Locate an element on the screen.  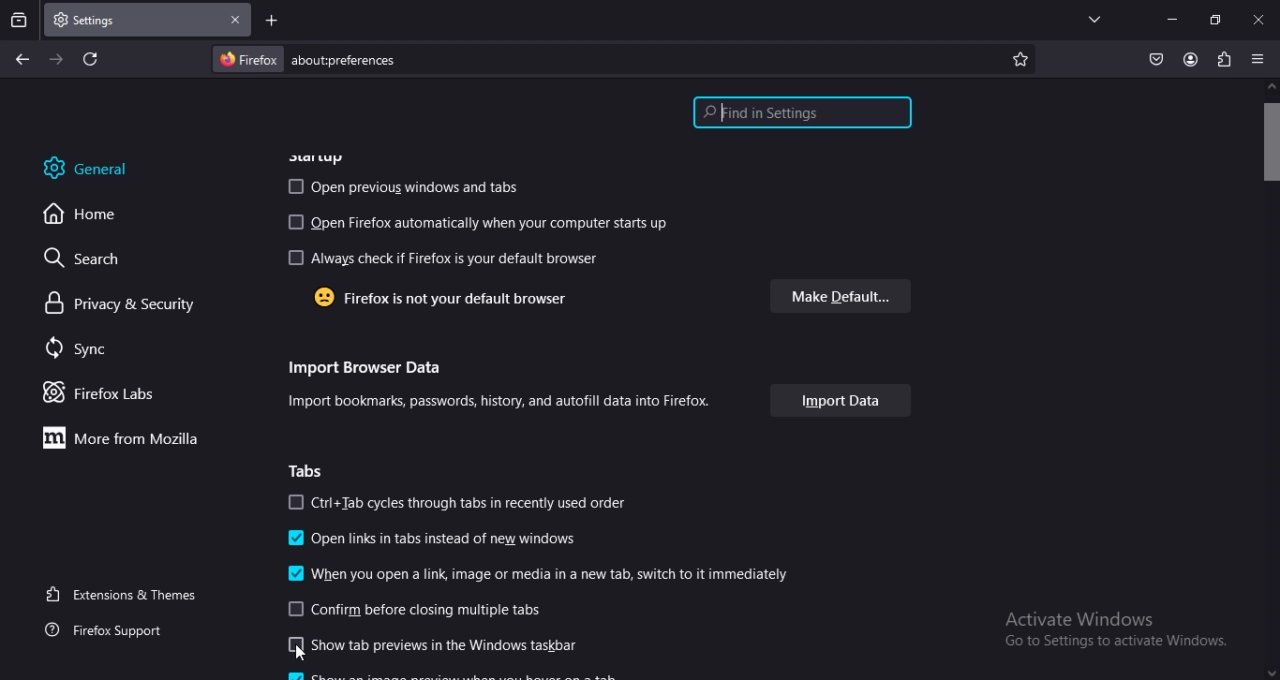
reload current page is located at coordinates (88, 61).